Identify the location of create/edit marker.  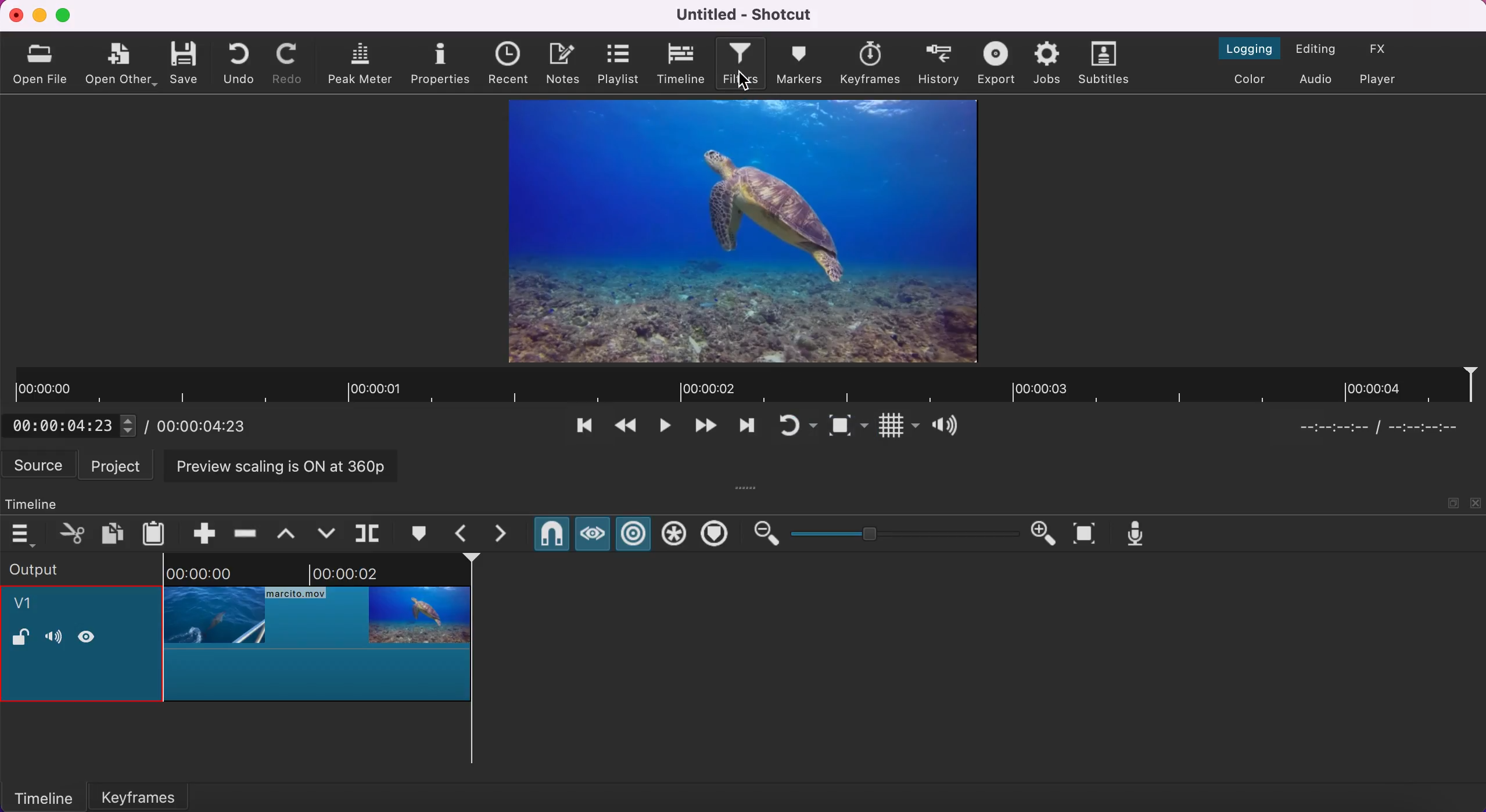
(422, 534).